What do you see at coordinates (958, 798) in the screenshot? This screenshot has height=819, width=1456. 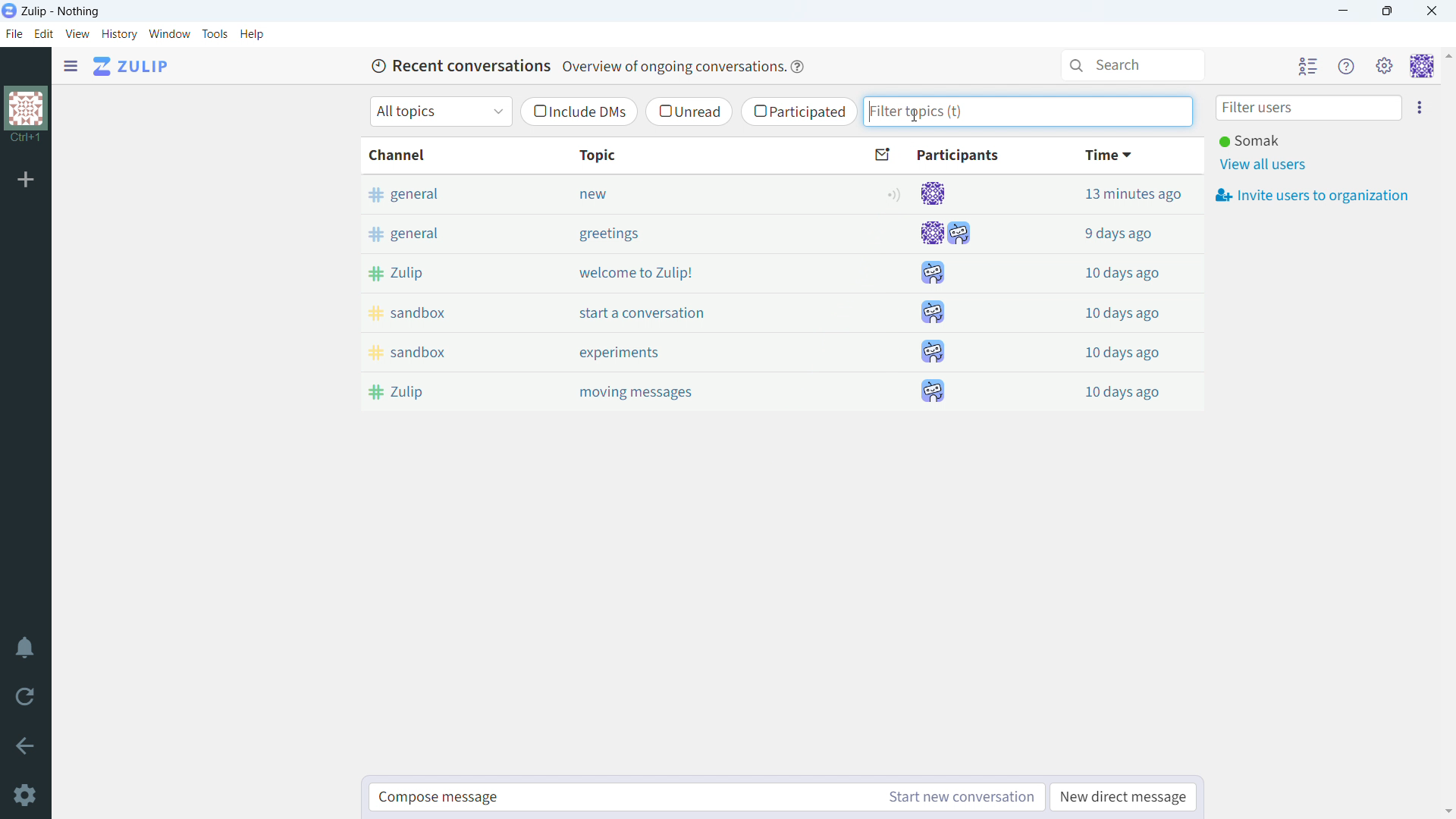 I see `start new conversation` at bounding box center [958, 798].